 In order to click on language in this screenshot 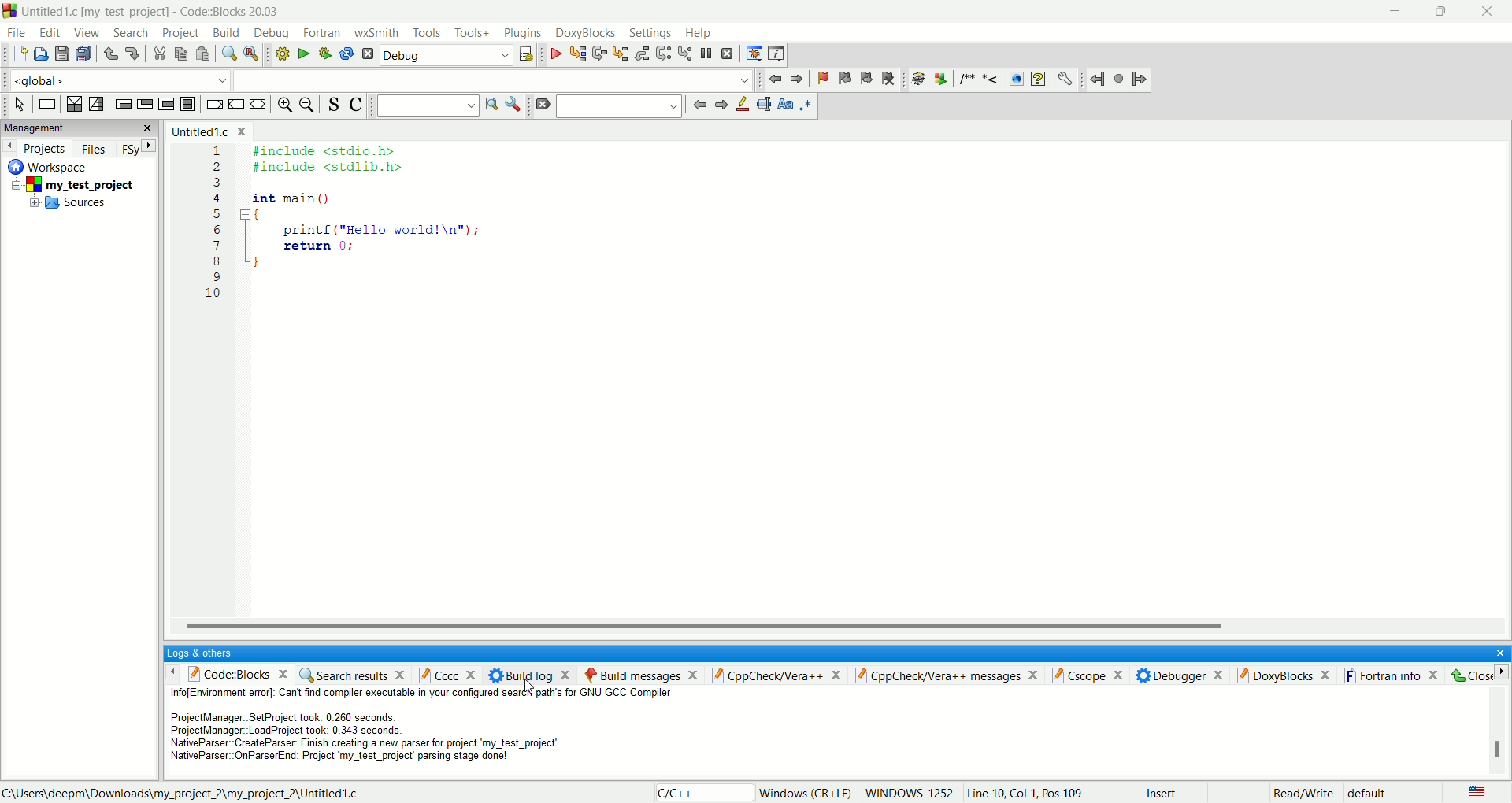, I will do `click(1477, 792)`.